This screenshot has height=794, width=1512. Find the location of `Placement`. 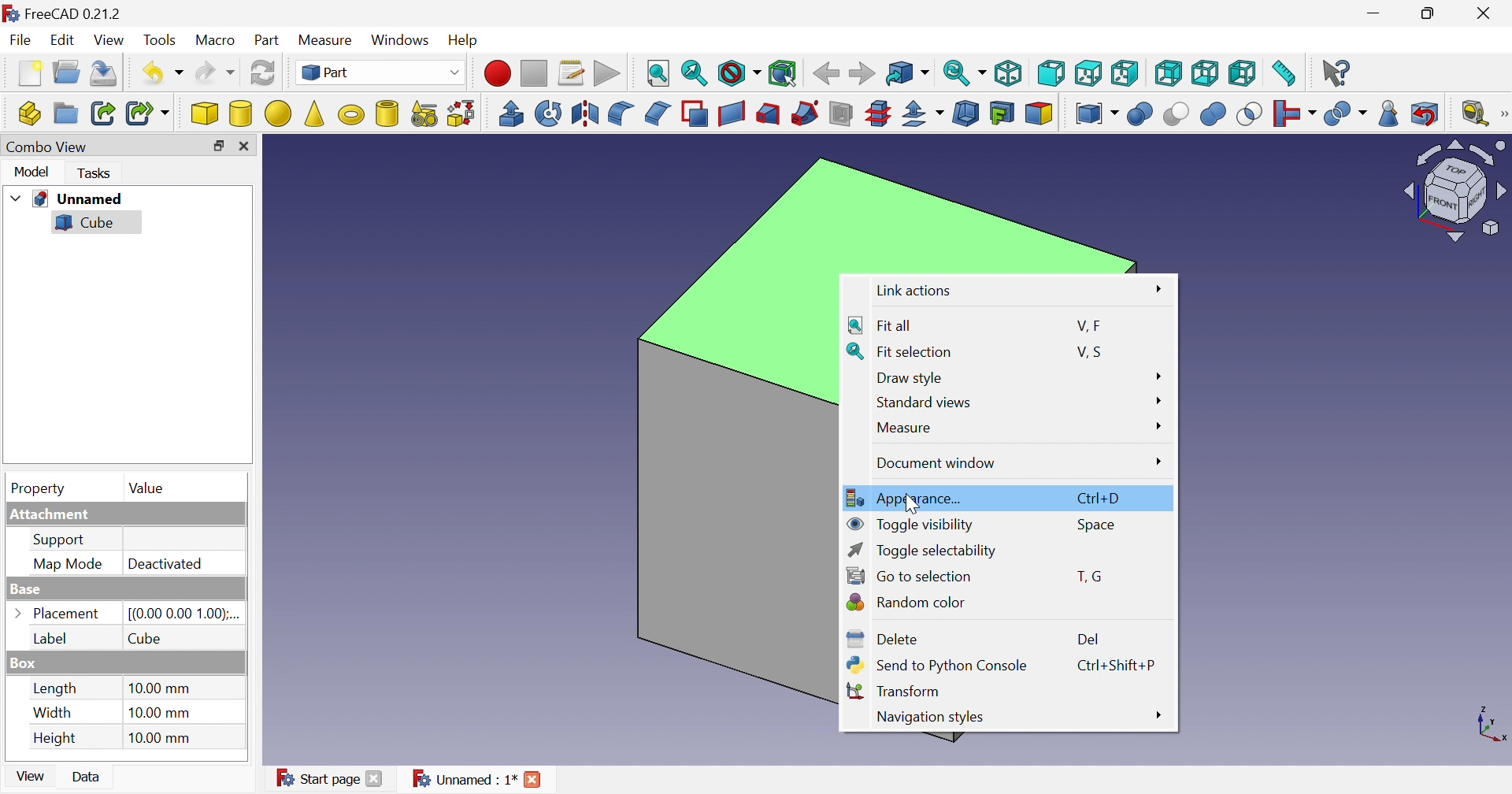

Placement is located at coordinates (56, 613).